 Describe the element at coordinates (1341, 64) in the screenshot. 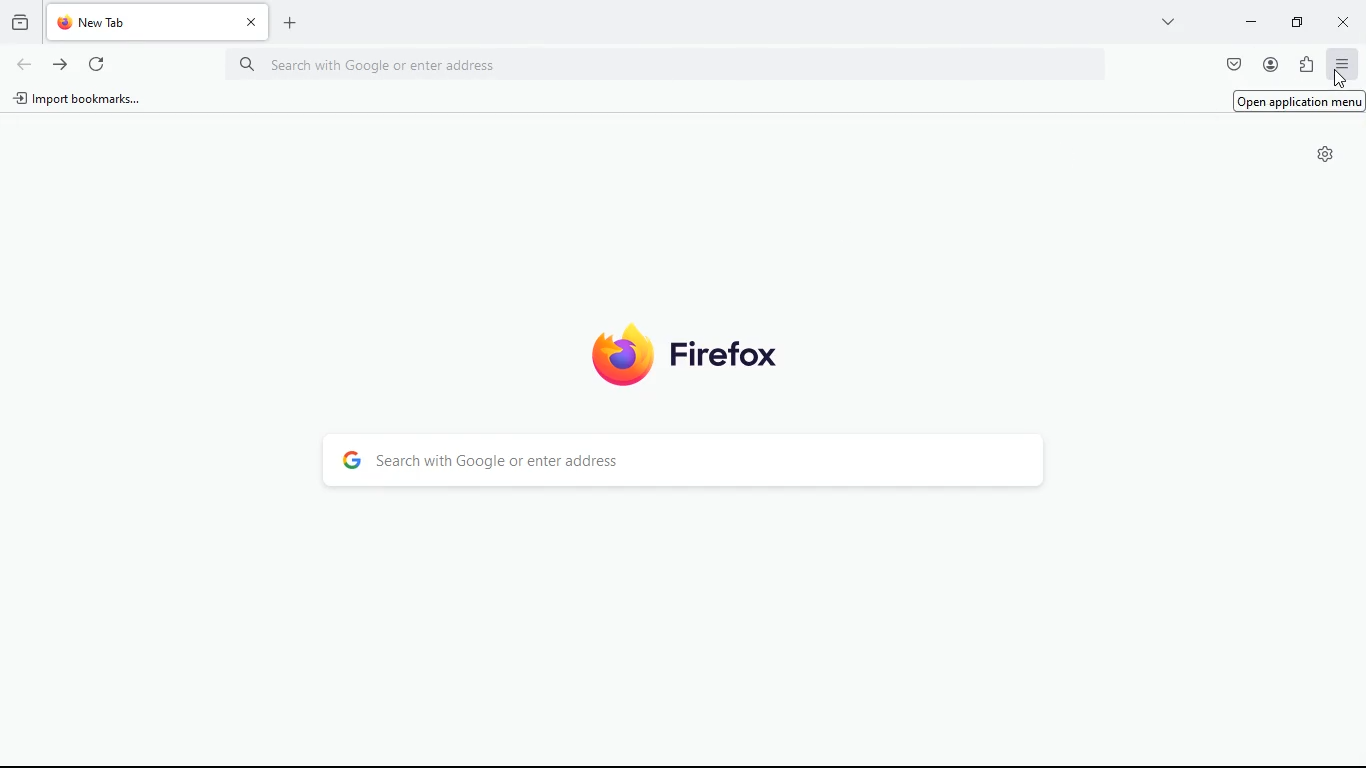

I see `menu` at that location.